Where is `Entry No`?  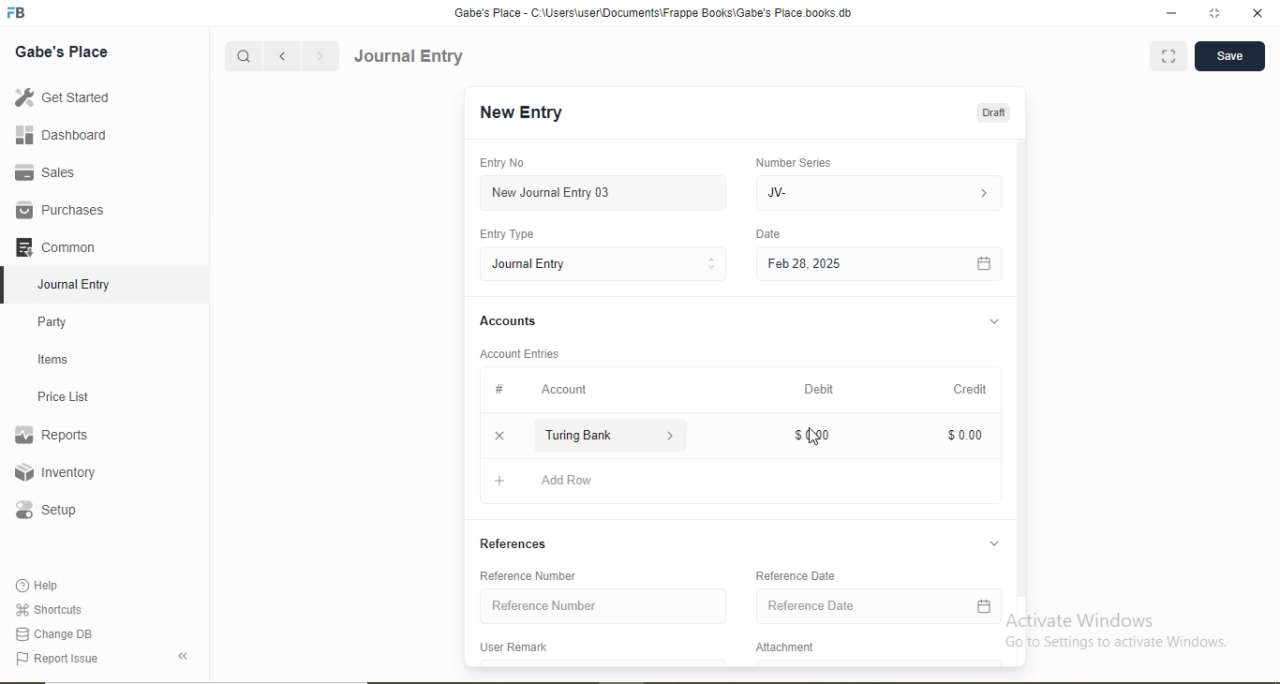
Entry No is located at coordinates (501, 162).